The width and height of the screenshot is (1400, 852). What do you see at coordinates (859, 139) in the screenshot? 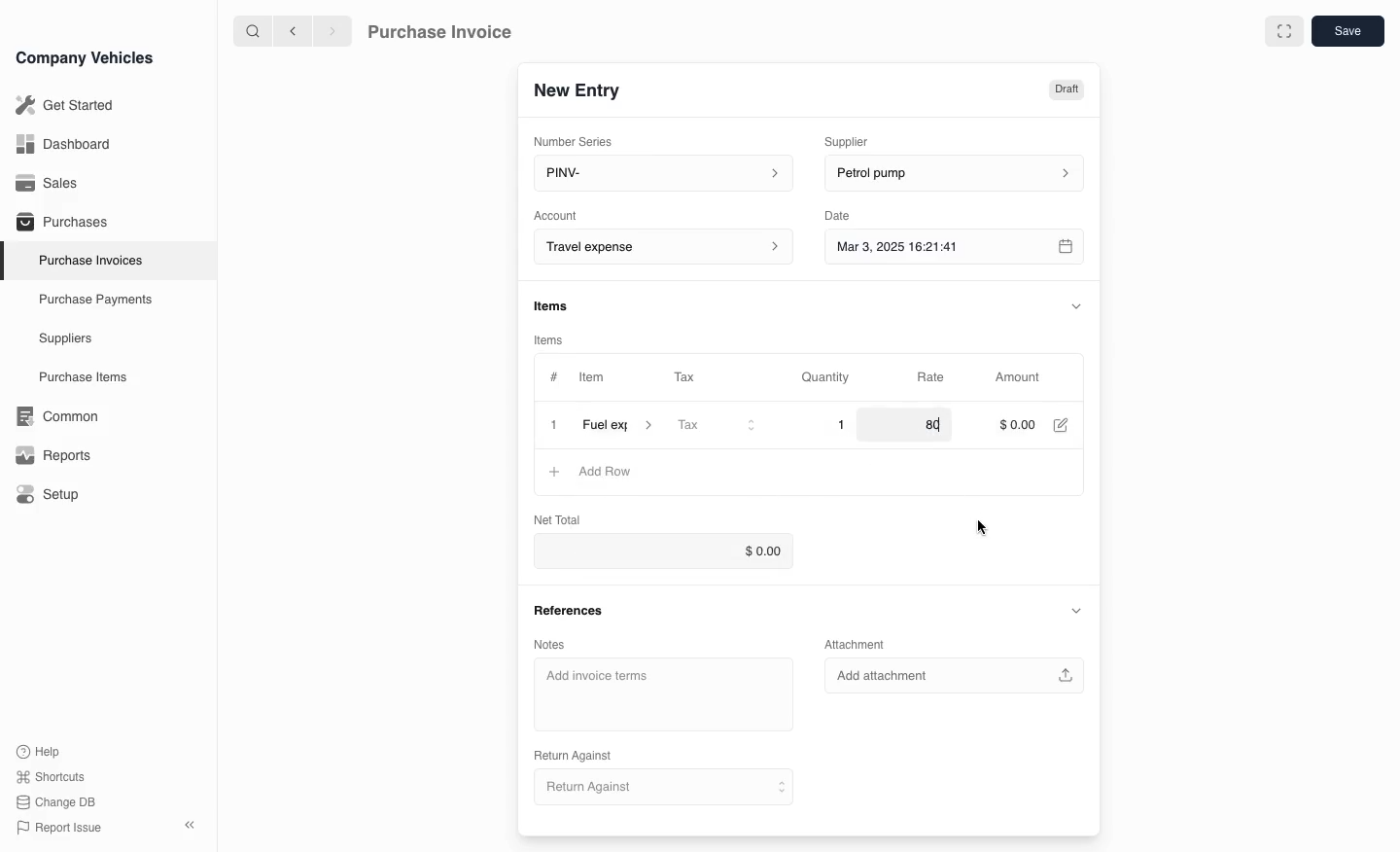
I see `Supplier` at bounding box center [859, 139].